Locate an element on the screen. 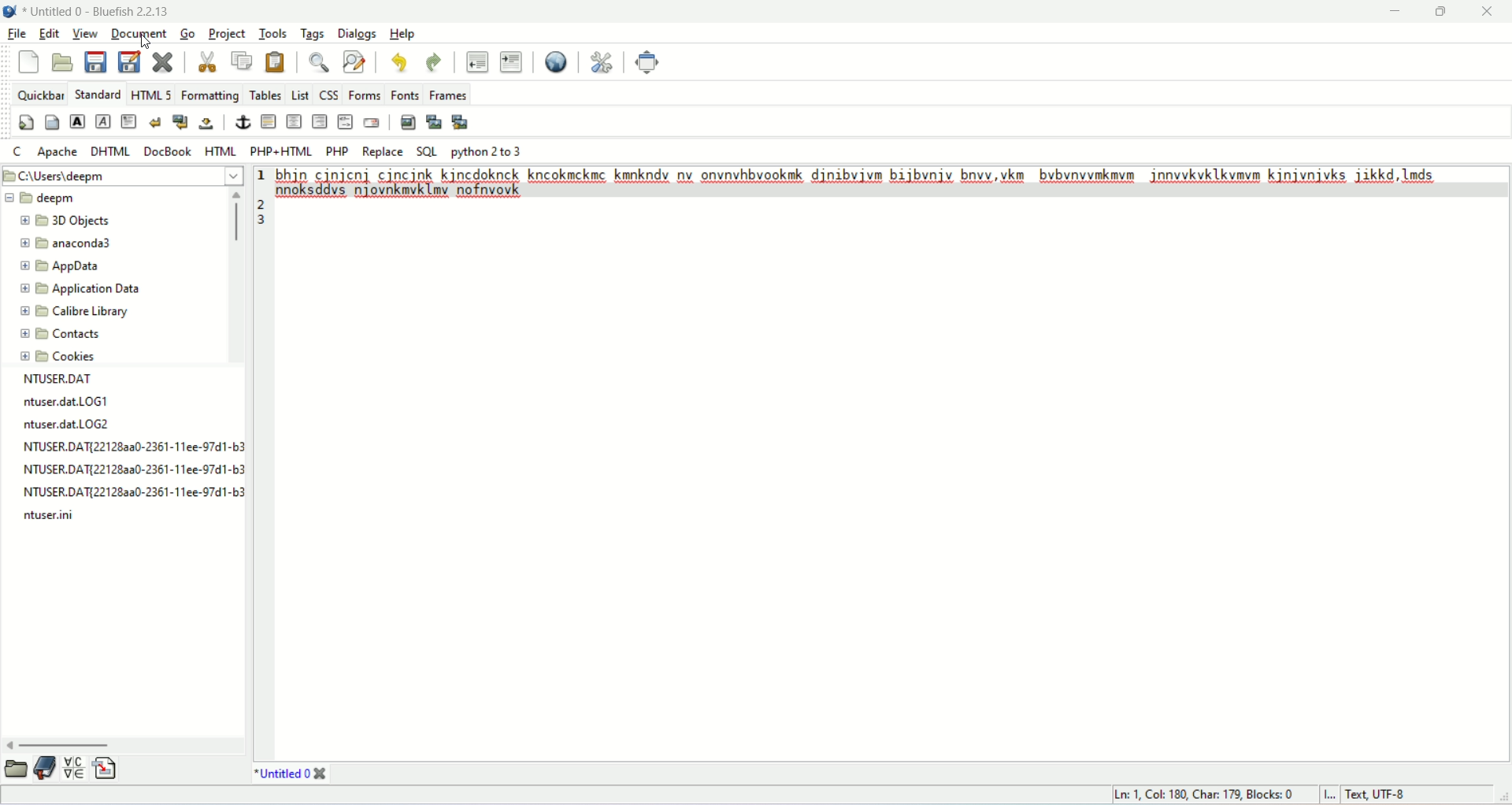  open file is located at coordinates (61, 61).